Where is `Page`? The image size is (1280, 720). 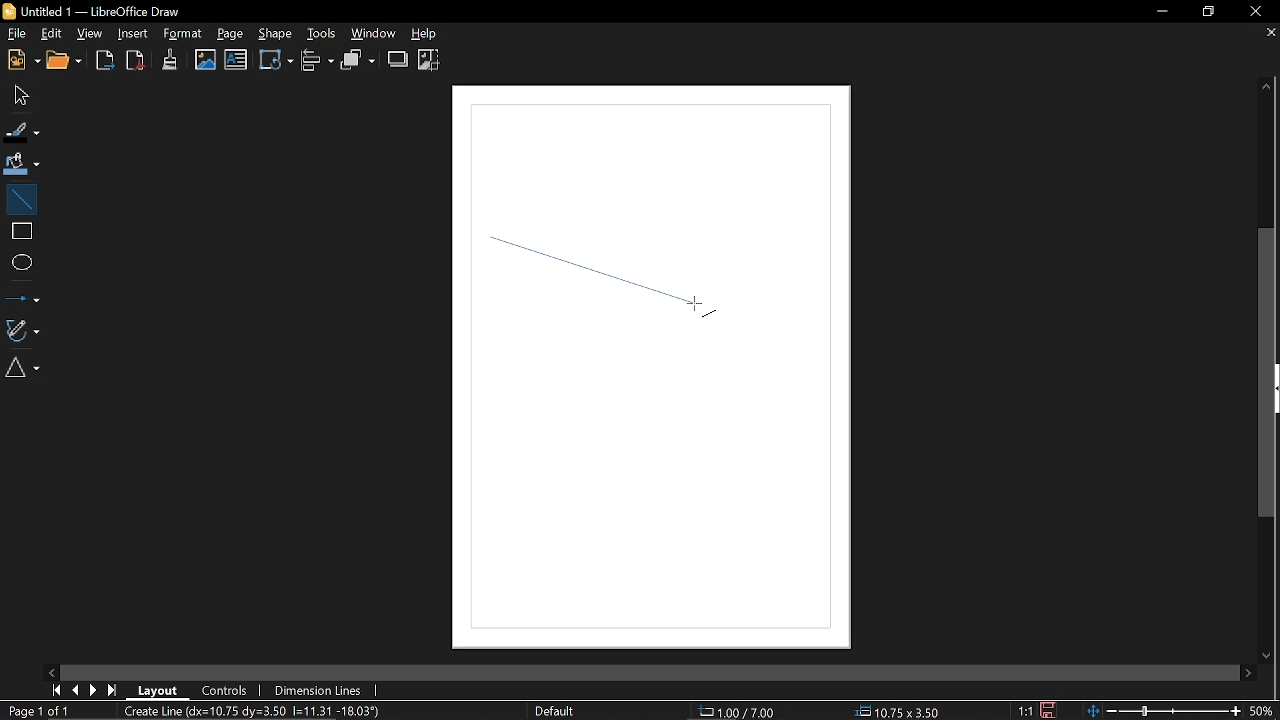
Page is located at coordinates (232, 36).